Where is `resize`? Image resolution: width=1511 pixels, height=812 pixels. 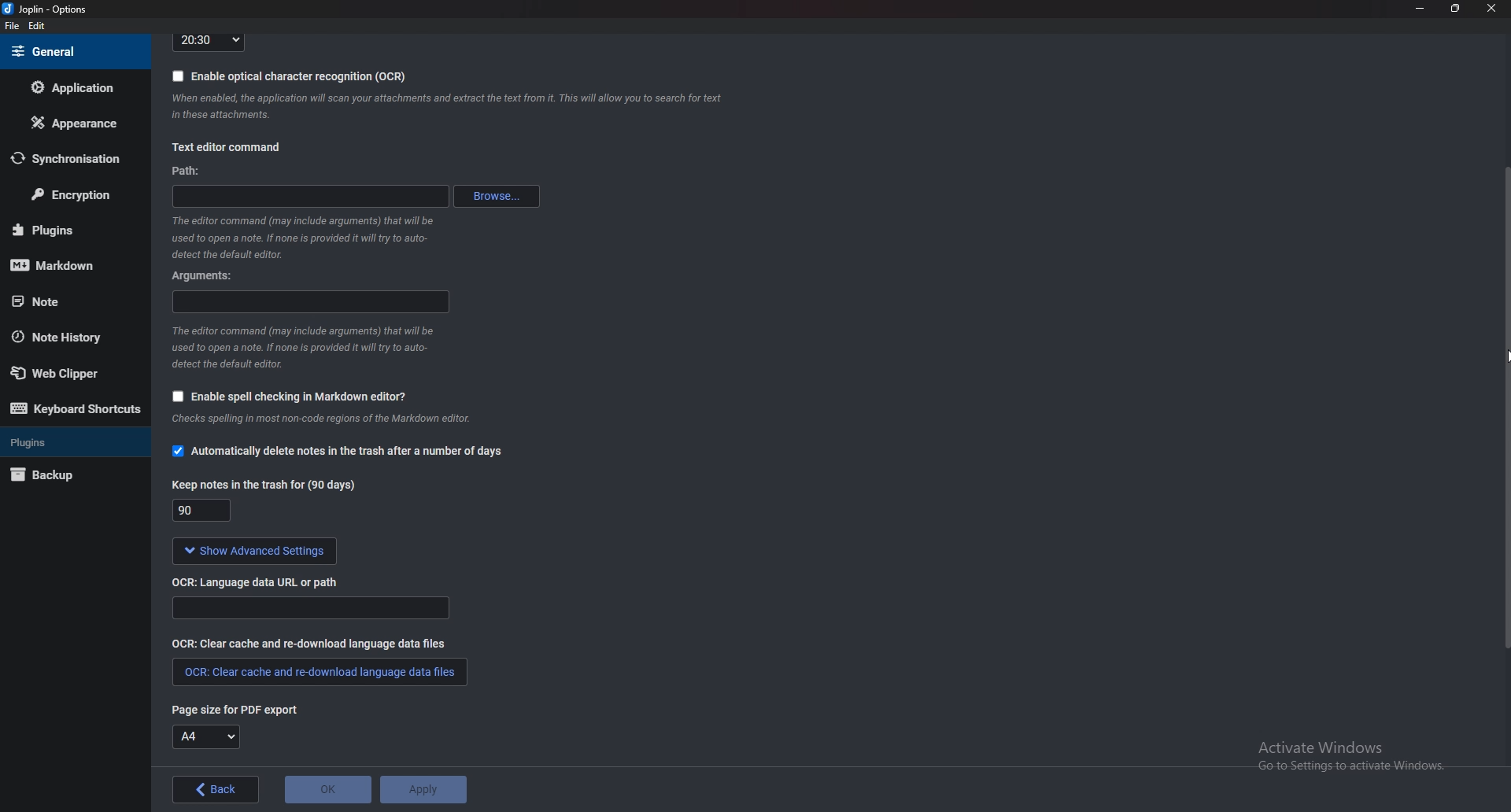 resize is located at coordinates (1454, 8).